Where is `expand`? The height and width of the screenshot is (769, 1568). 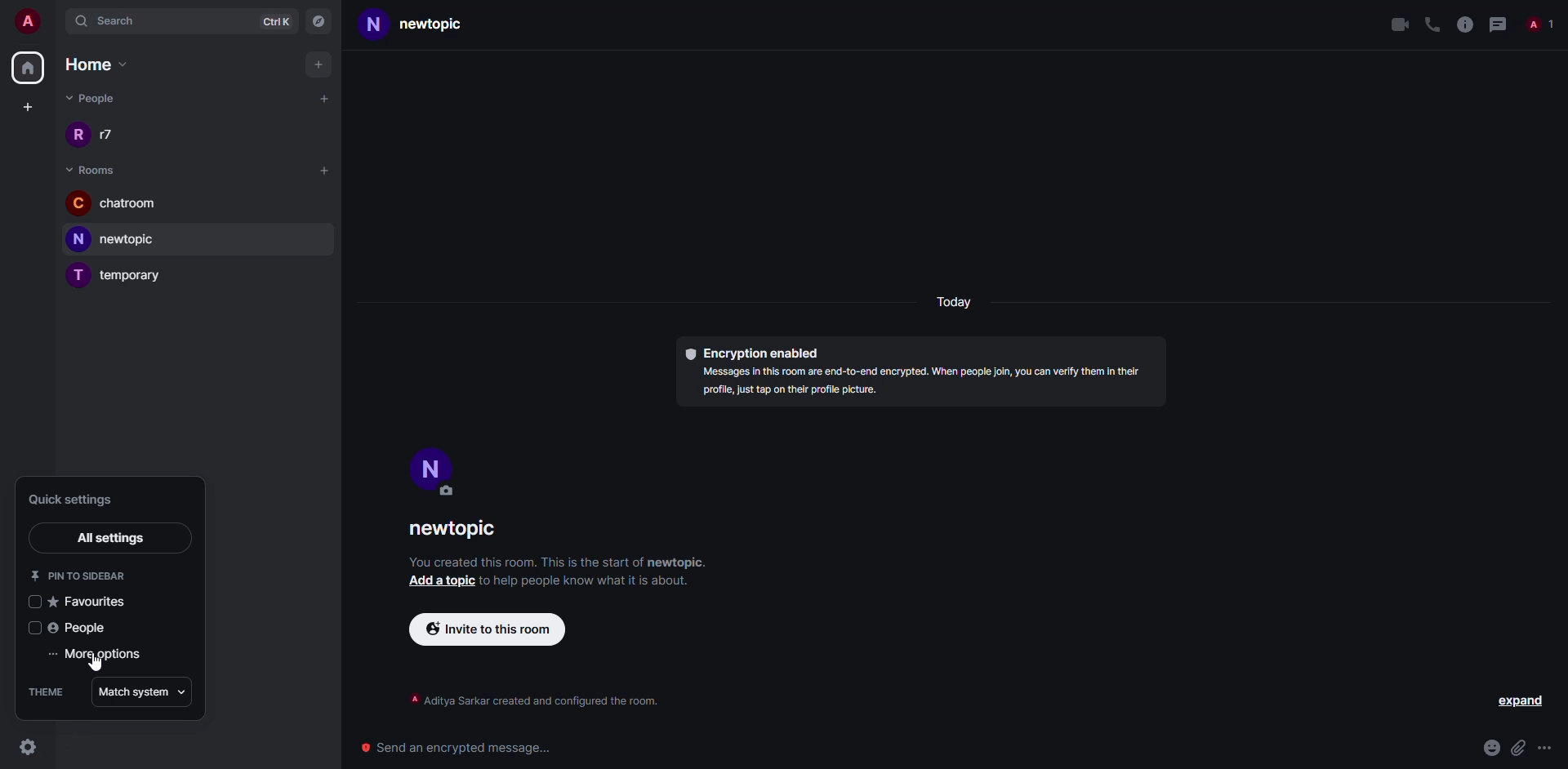 expand is located at coordinates (1517, 701).